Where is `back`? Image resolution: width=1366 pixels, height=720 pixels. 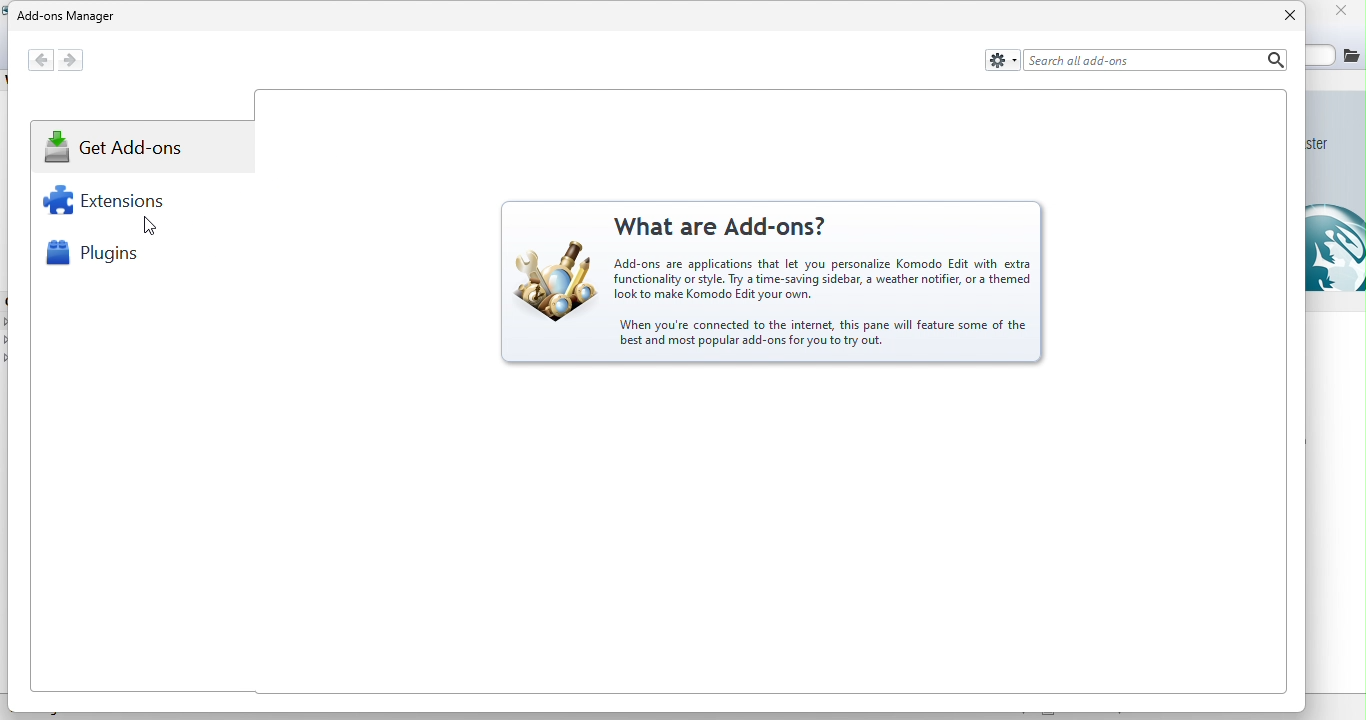
back is located at coordinates (41, 58).